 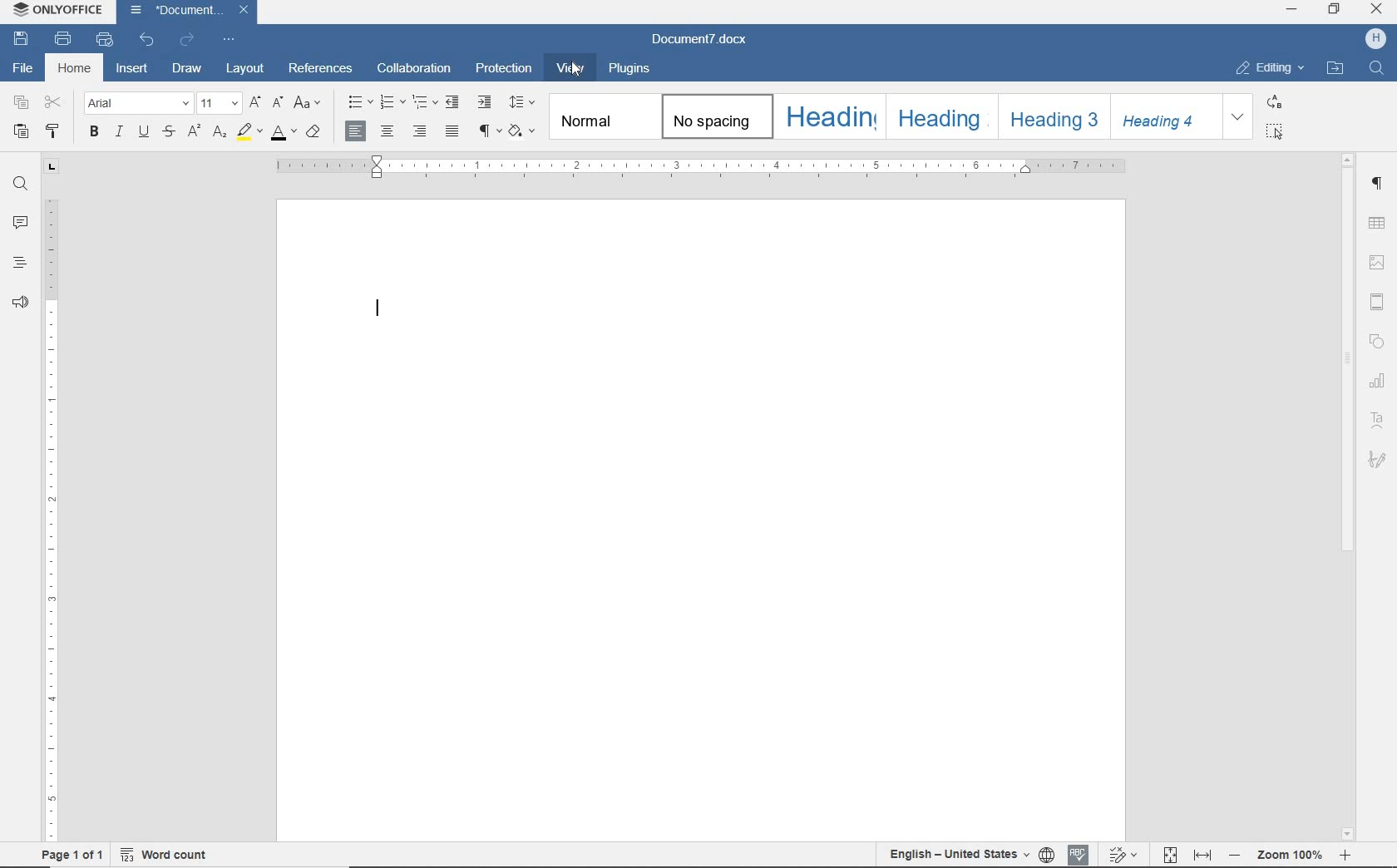 I want to click on FIND, so click(x=1376, y=69).